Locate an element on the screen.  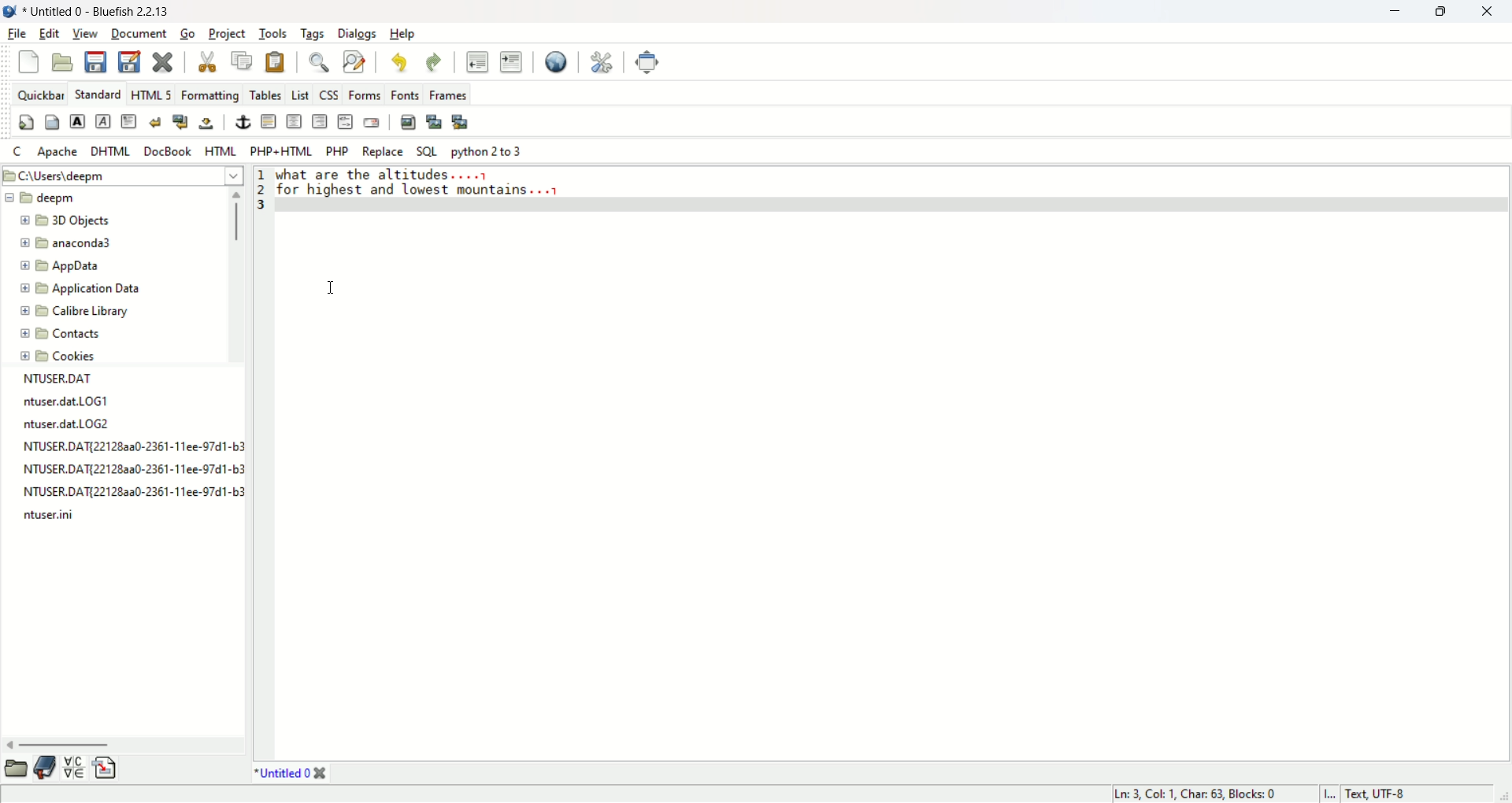
application is located at coordinates (81, 289).